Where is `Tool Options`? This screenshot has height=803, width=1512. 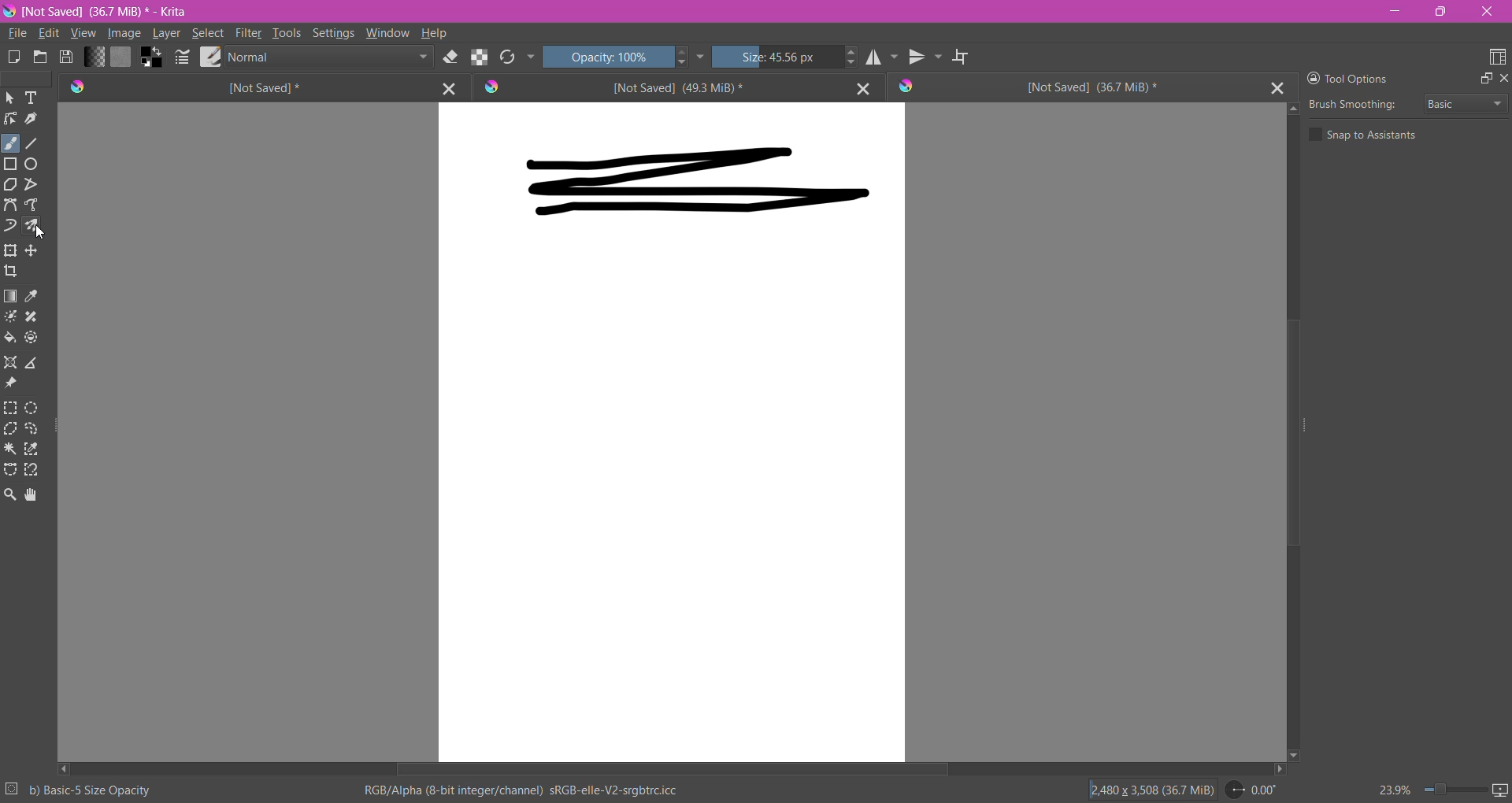 Tool Options is located at coordinates (1358, 77).